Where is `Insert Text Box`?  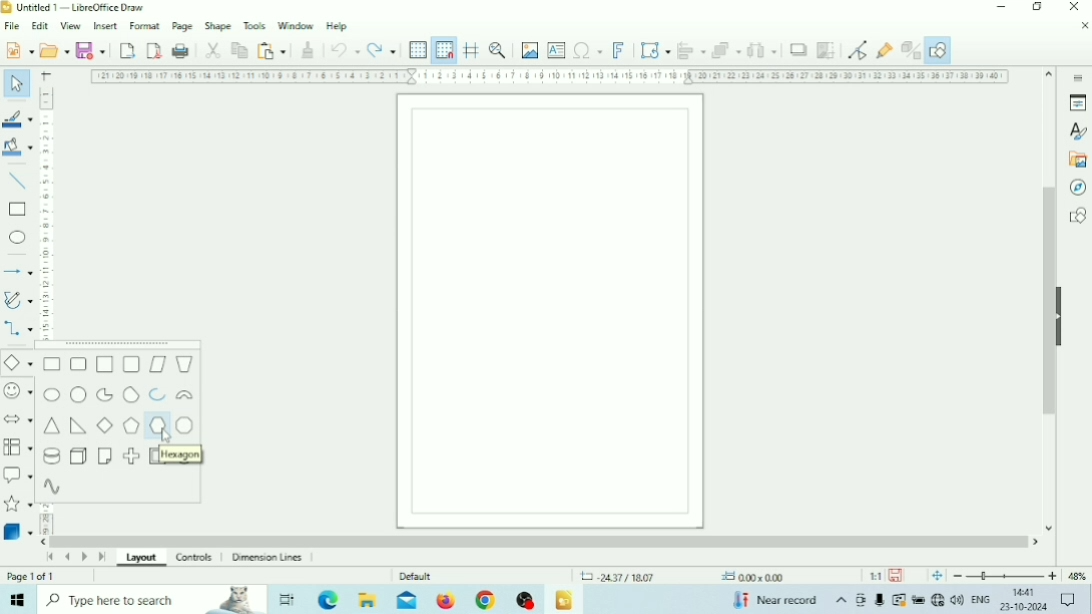 Insert Text Box is located at coordinates (557, 49).